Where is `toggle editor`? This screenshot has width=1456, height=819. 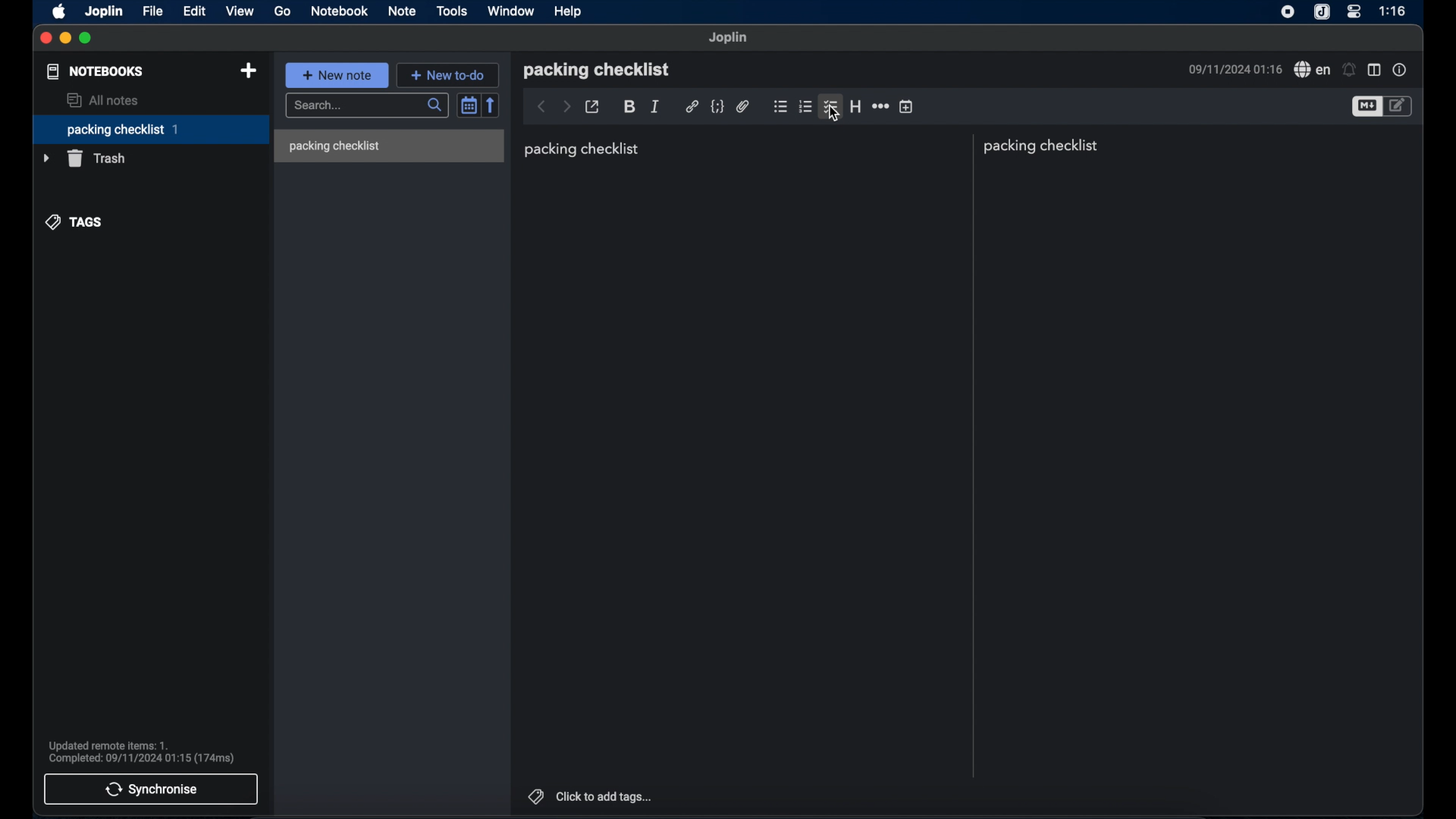
toggle editor is located at coordinates (1366, 107).